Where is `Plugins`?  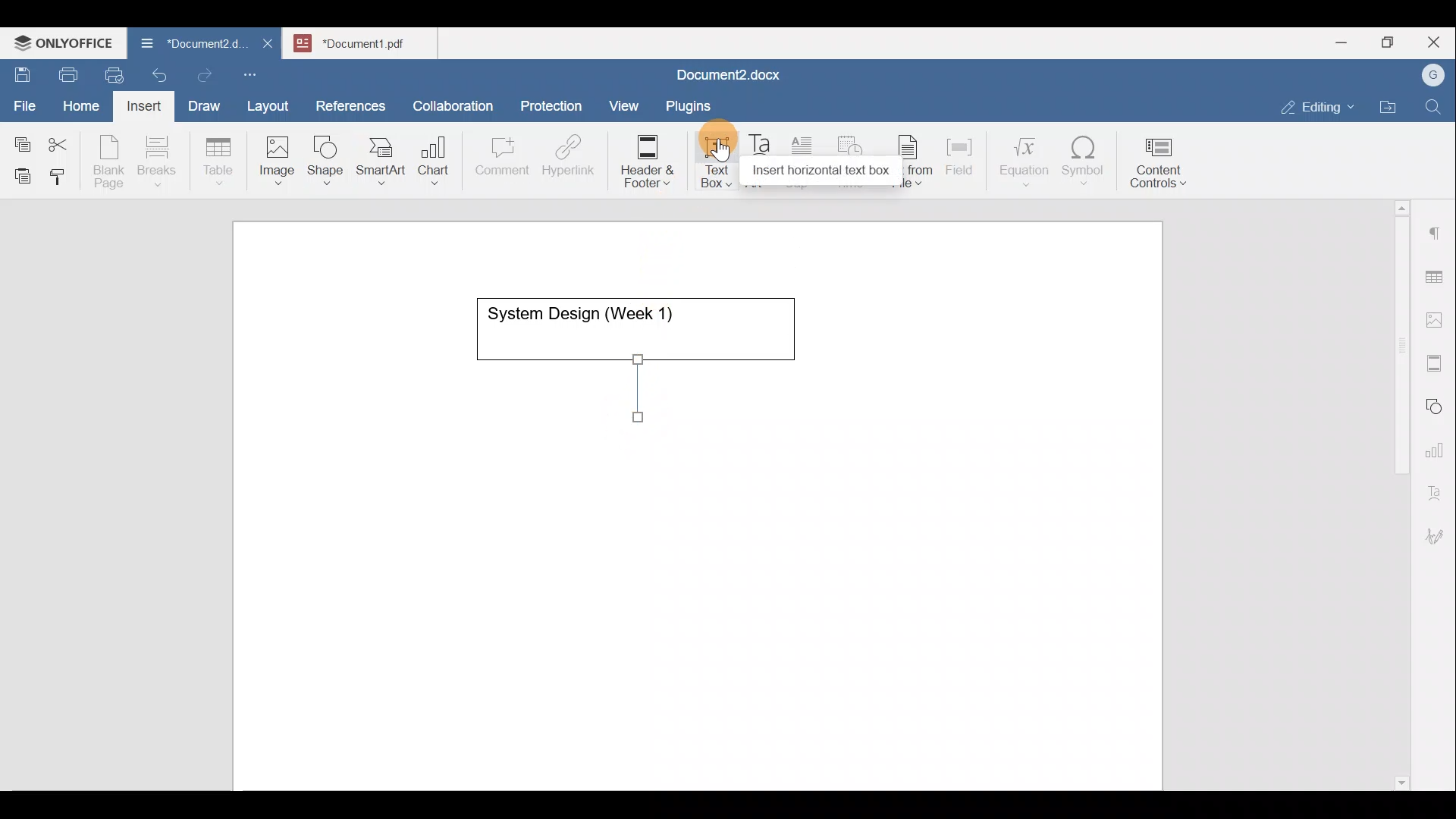
Plugins is located at coordinates (693, 104).